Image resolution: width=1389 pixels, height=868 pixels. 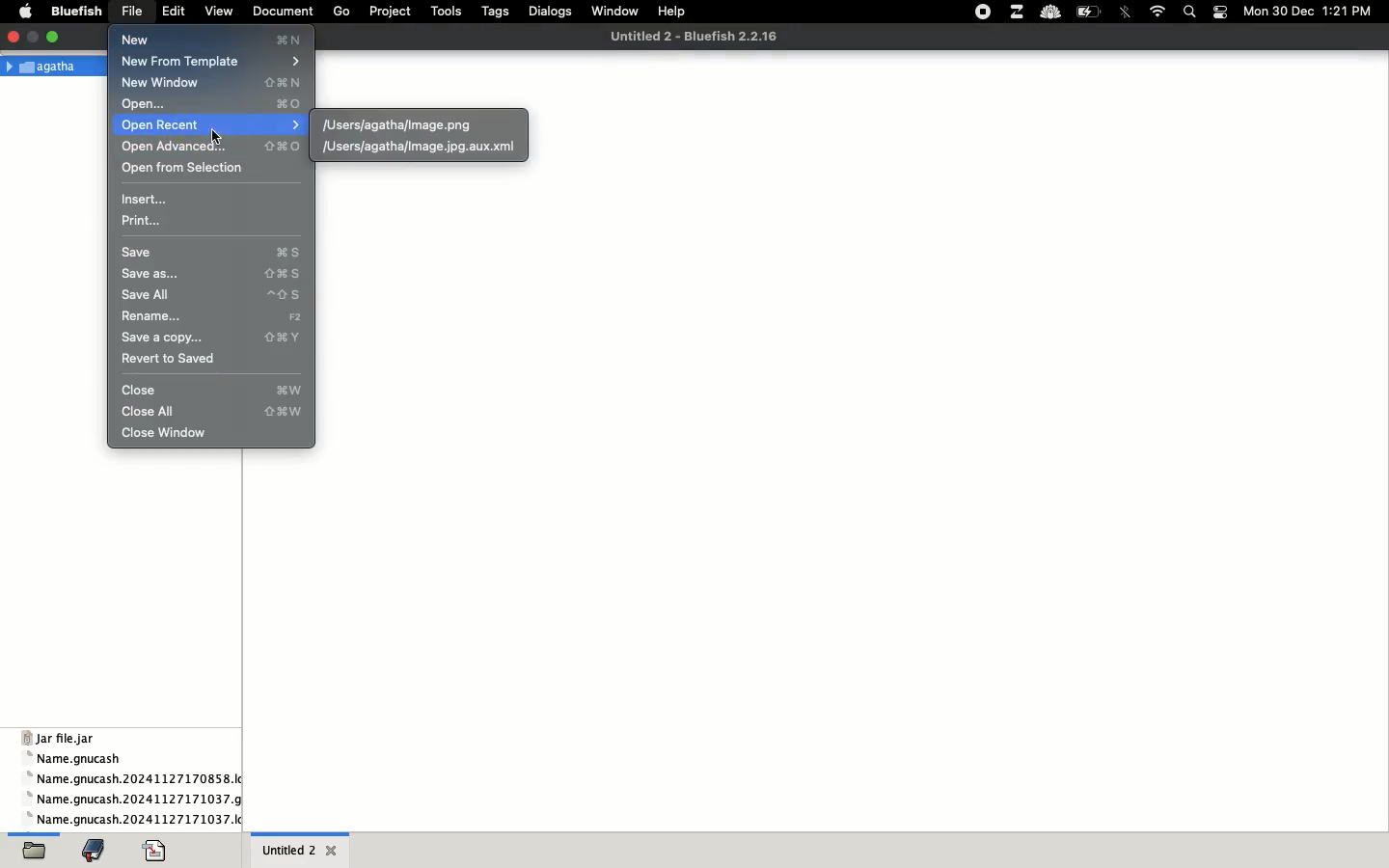 What do you see at coordinates (213, 124) in the screenshot?
I see `open recent` at bounding box center [213, 124].